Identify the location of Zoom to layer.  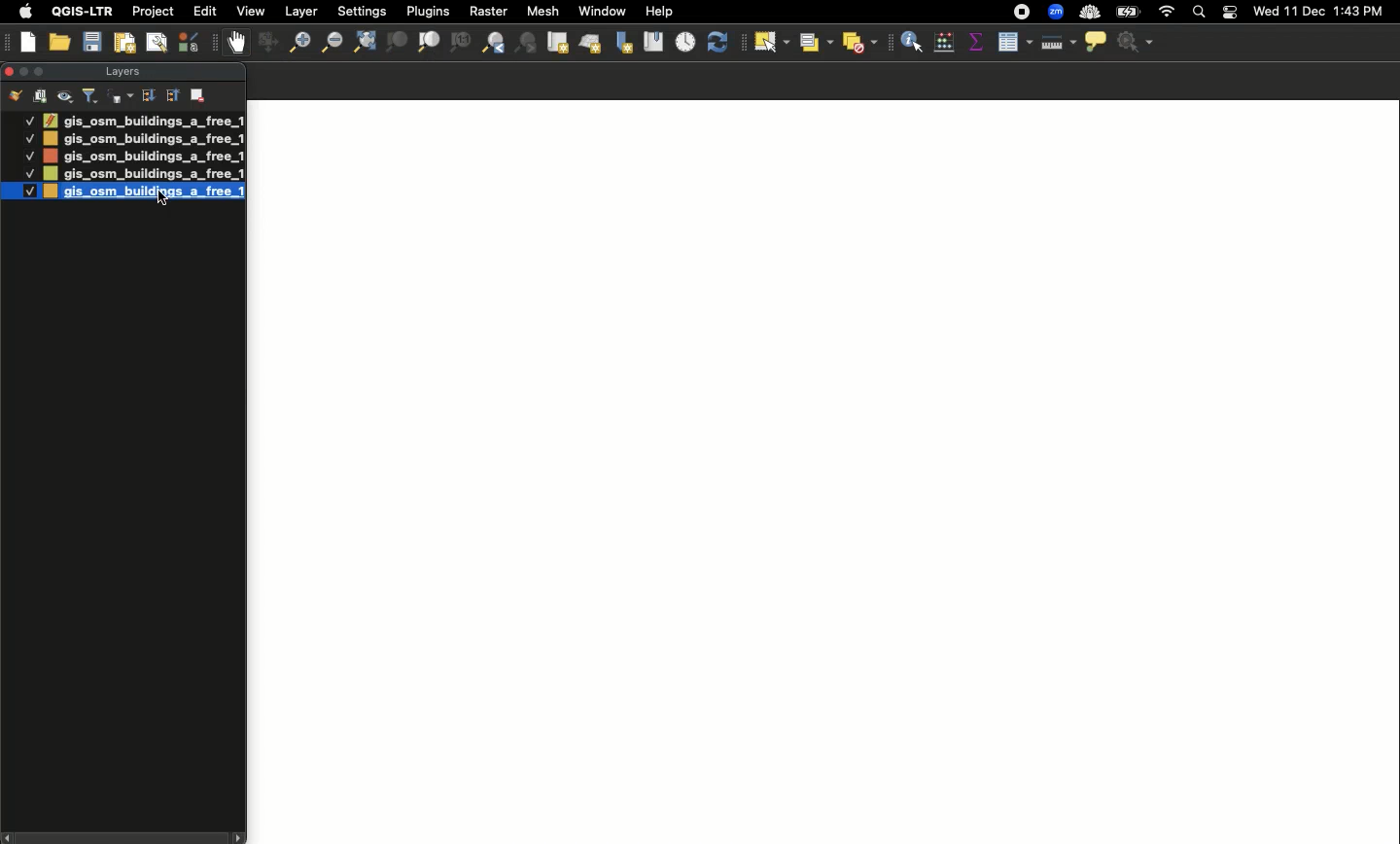
(430, 42).